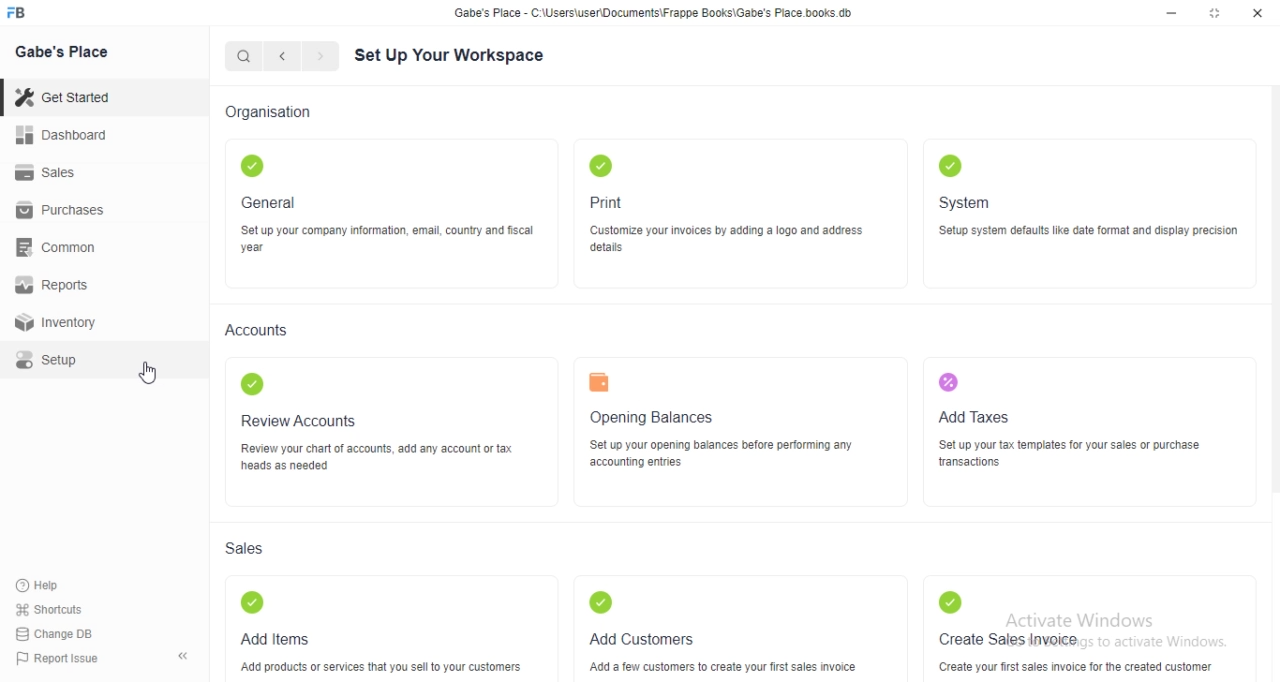  I want to click on FB, so click(29, 13).